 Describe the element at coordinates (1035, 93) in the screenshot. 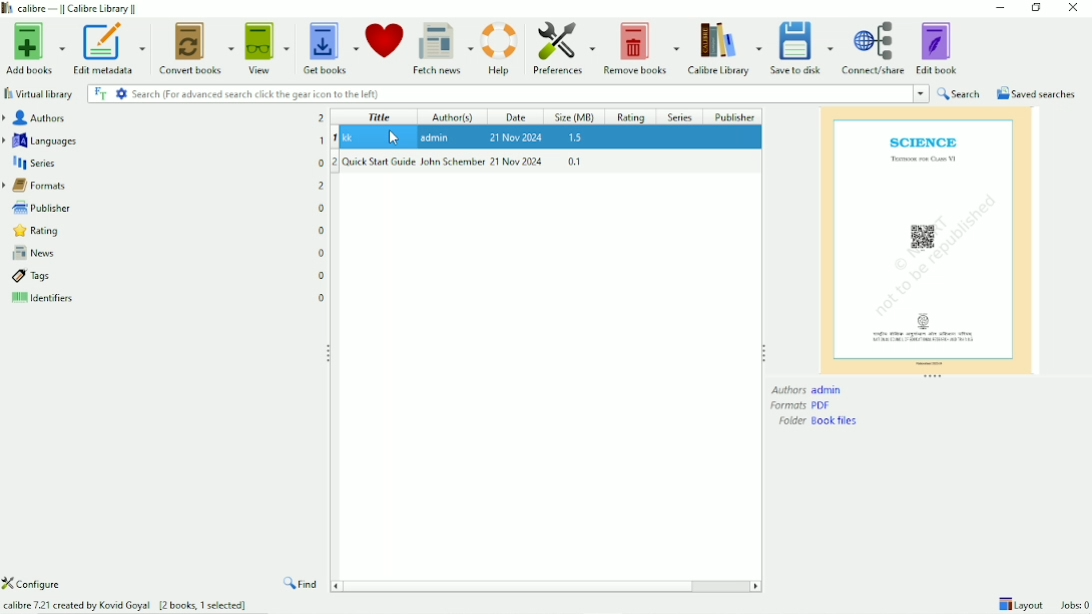

I see `Saved searches` at that location.